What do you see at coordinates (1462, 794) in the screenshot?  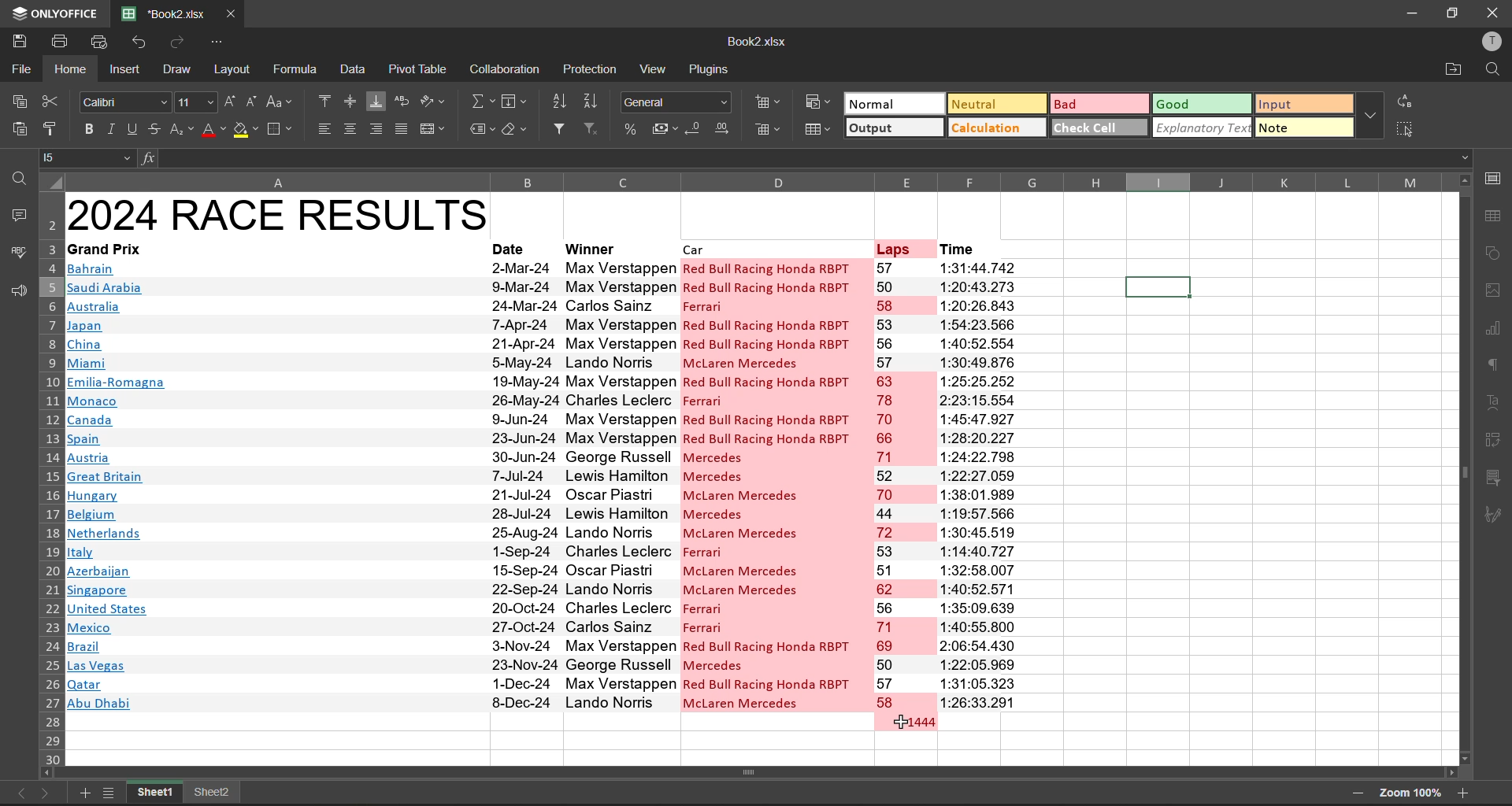 I see `zoom in` at bounding box center [1462, 794].